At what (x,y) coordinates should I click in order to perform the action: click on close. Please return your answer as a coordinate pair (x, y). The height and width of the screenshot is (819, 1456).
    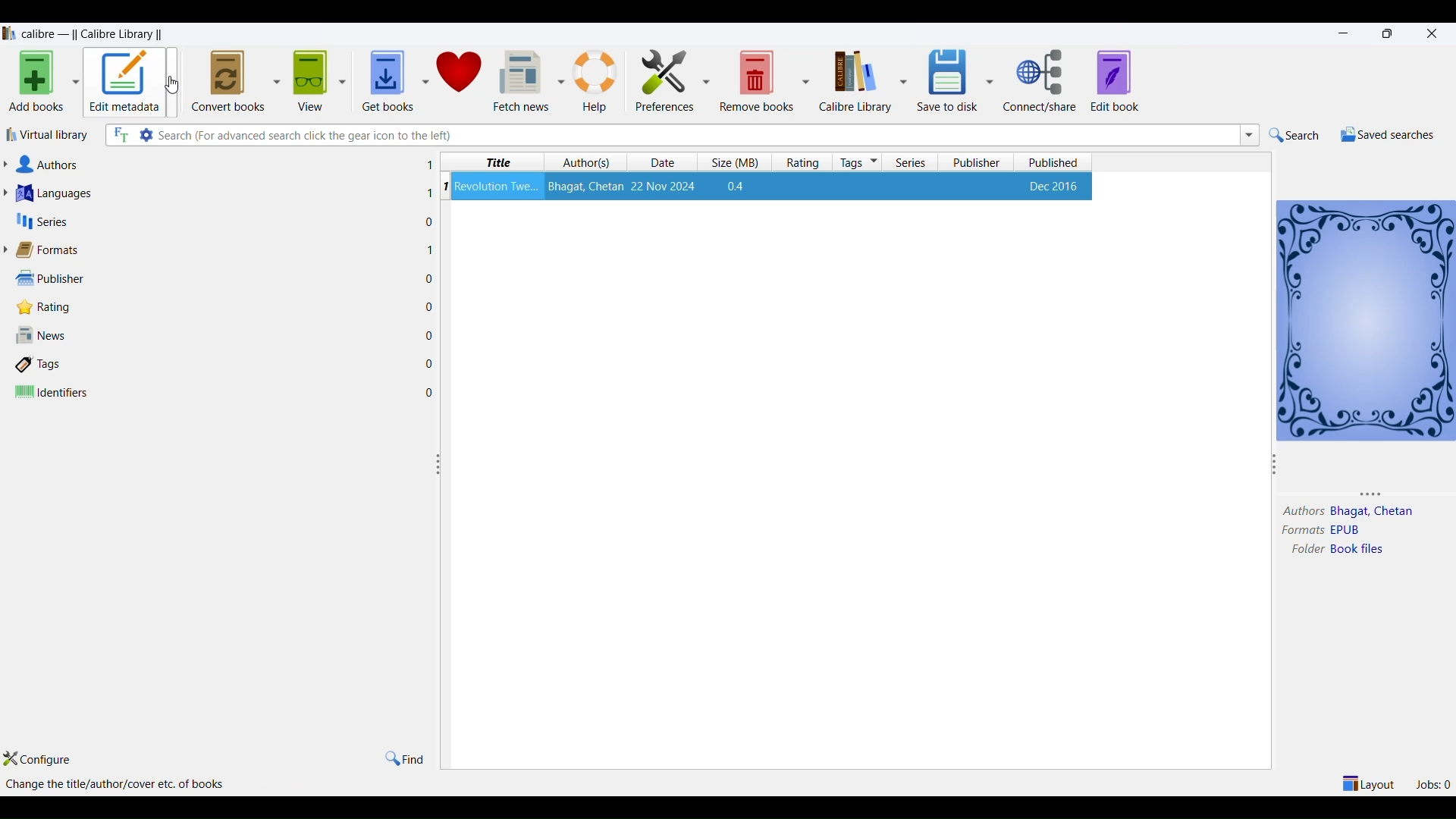
    Looking at the image, I should click on (1436, 35).